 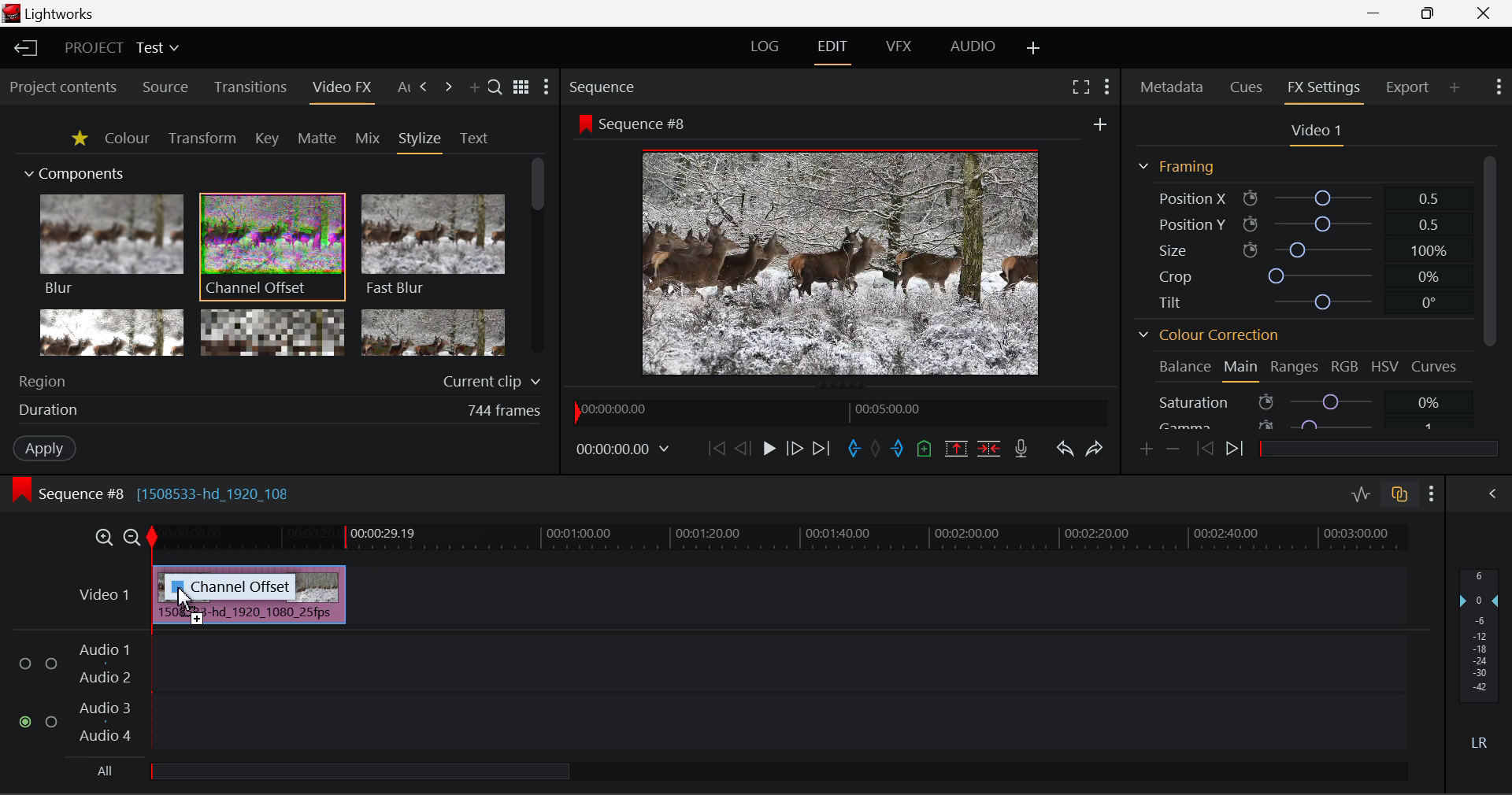 What do you see at coordinates (265, 139) in the screenshot?
I see `Key` at bounding box center [265, 139].